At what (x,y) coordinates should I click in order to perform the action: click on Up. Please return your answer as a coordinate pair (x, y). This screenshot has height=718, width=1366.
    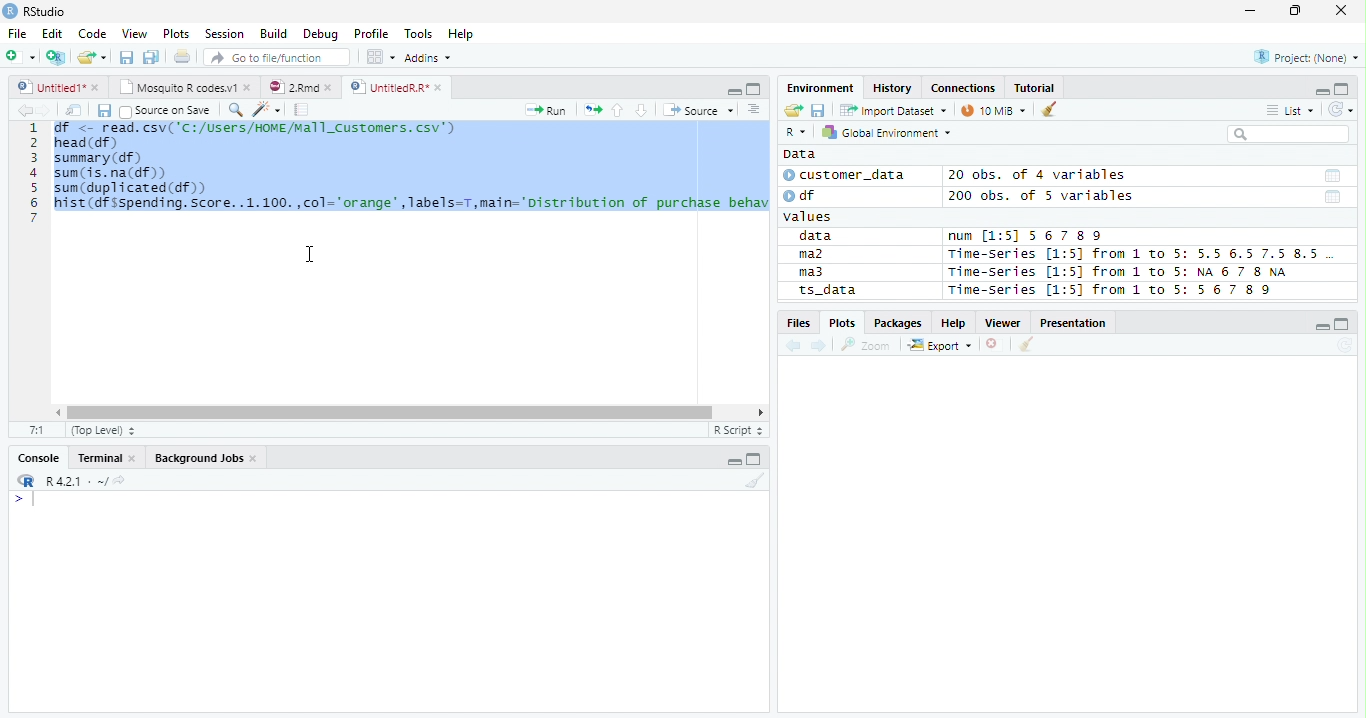
    Looking at the image, I should click on (617, 111).